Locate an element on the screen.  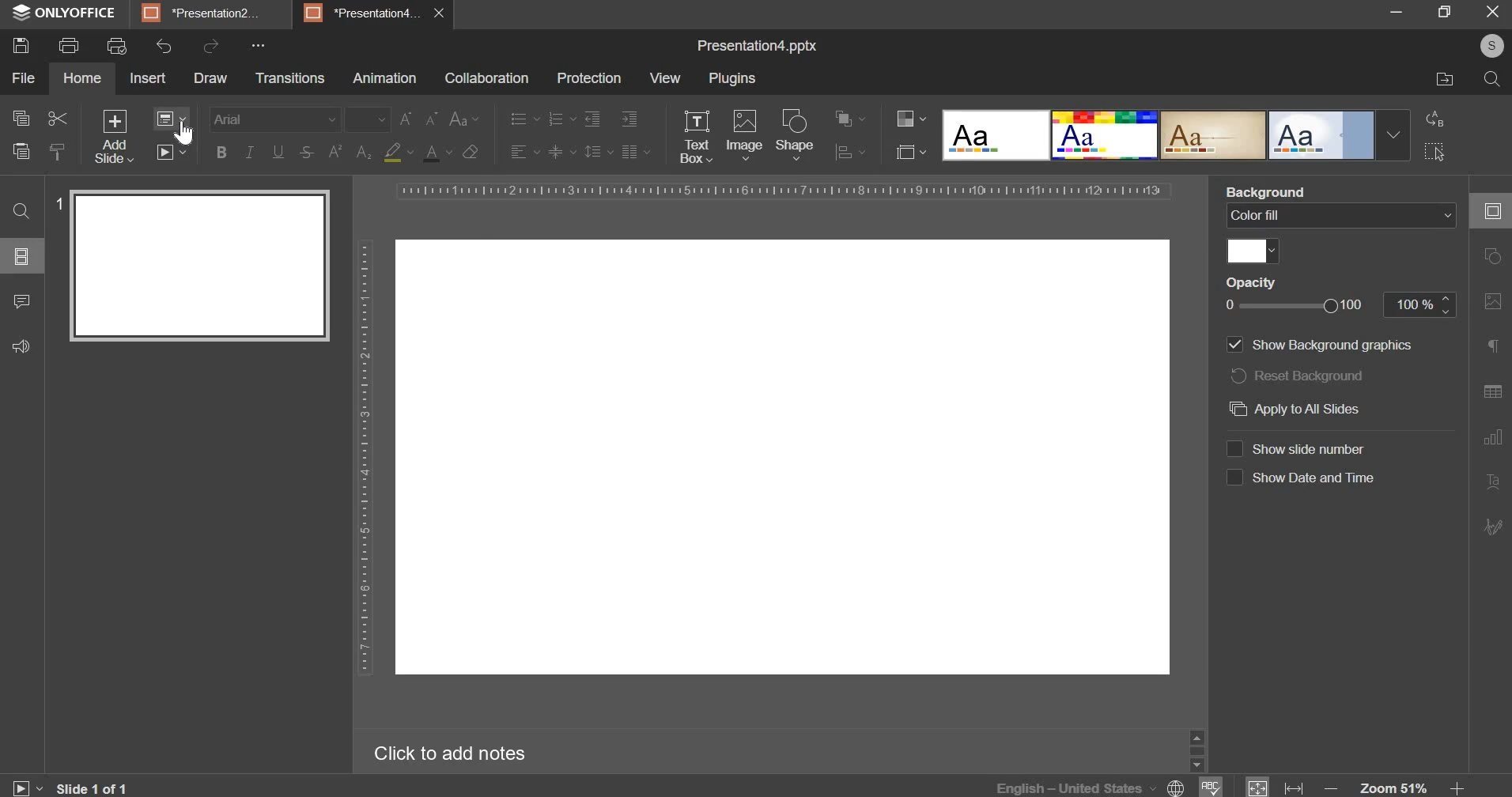
slider is located at coordinates (1196, 750).